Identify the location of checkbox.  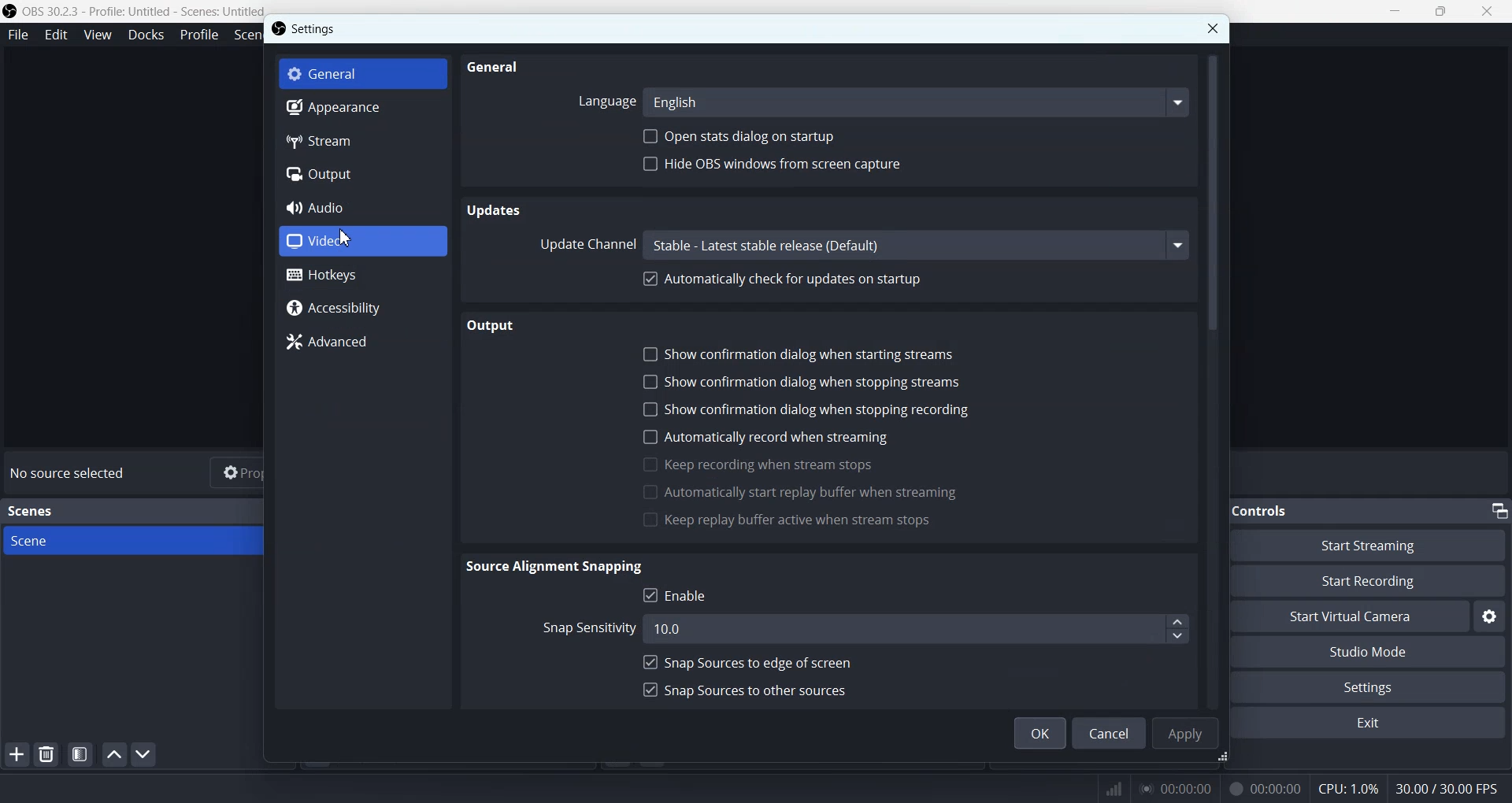
(648, 464).